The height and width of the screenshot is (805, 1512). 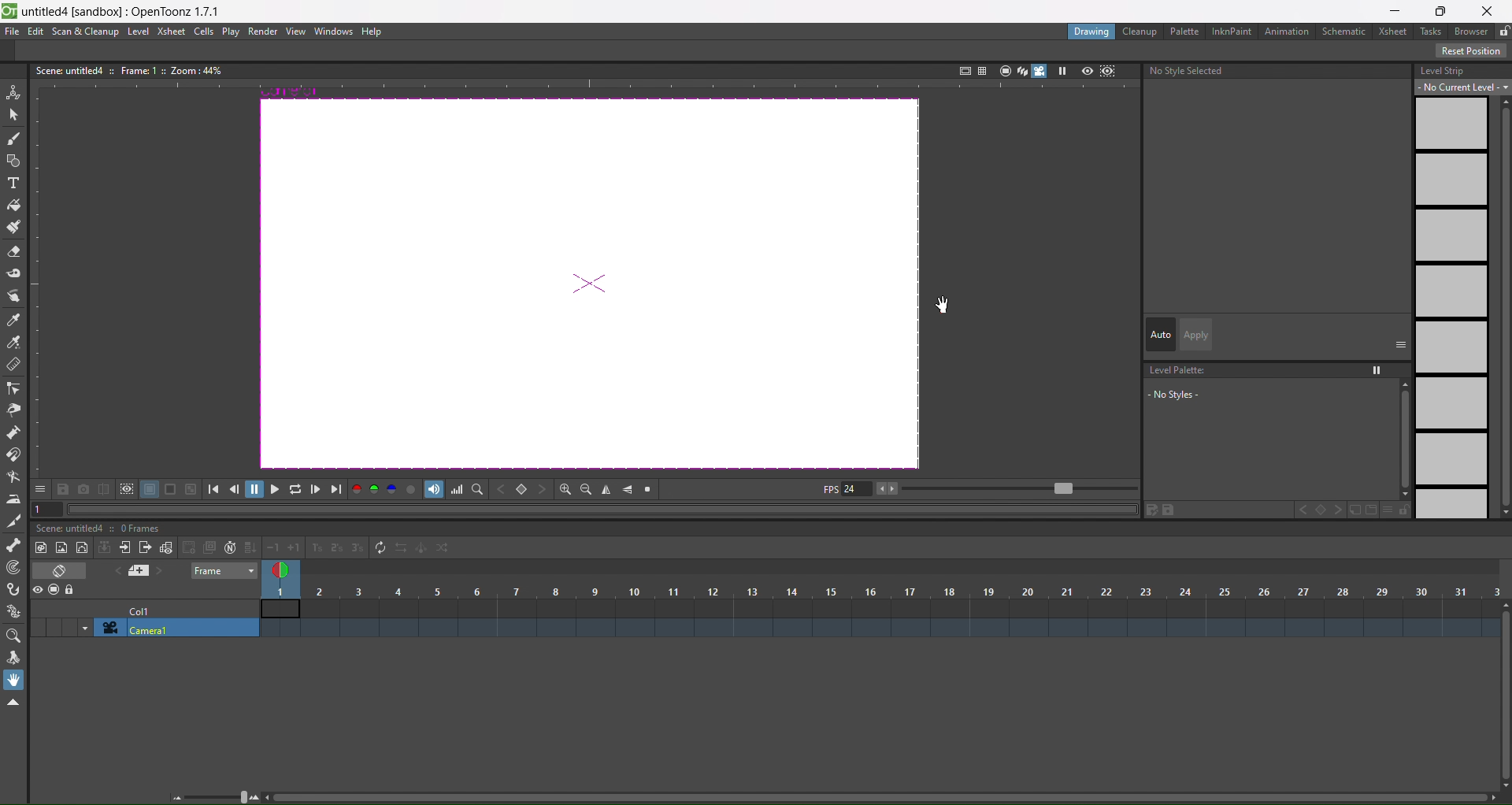 What do you see at coordinates (14, 162) in the screenshot?
I see `geometry tool` at bounding box center [14, 162].